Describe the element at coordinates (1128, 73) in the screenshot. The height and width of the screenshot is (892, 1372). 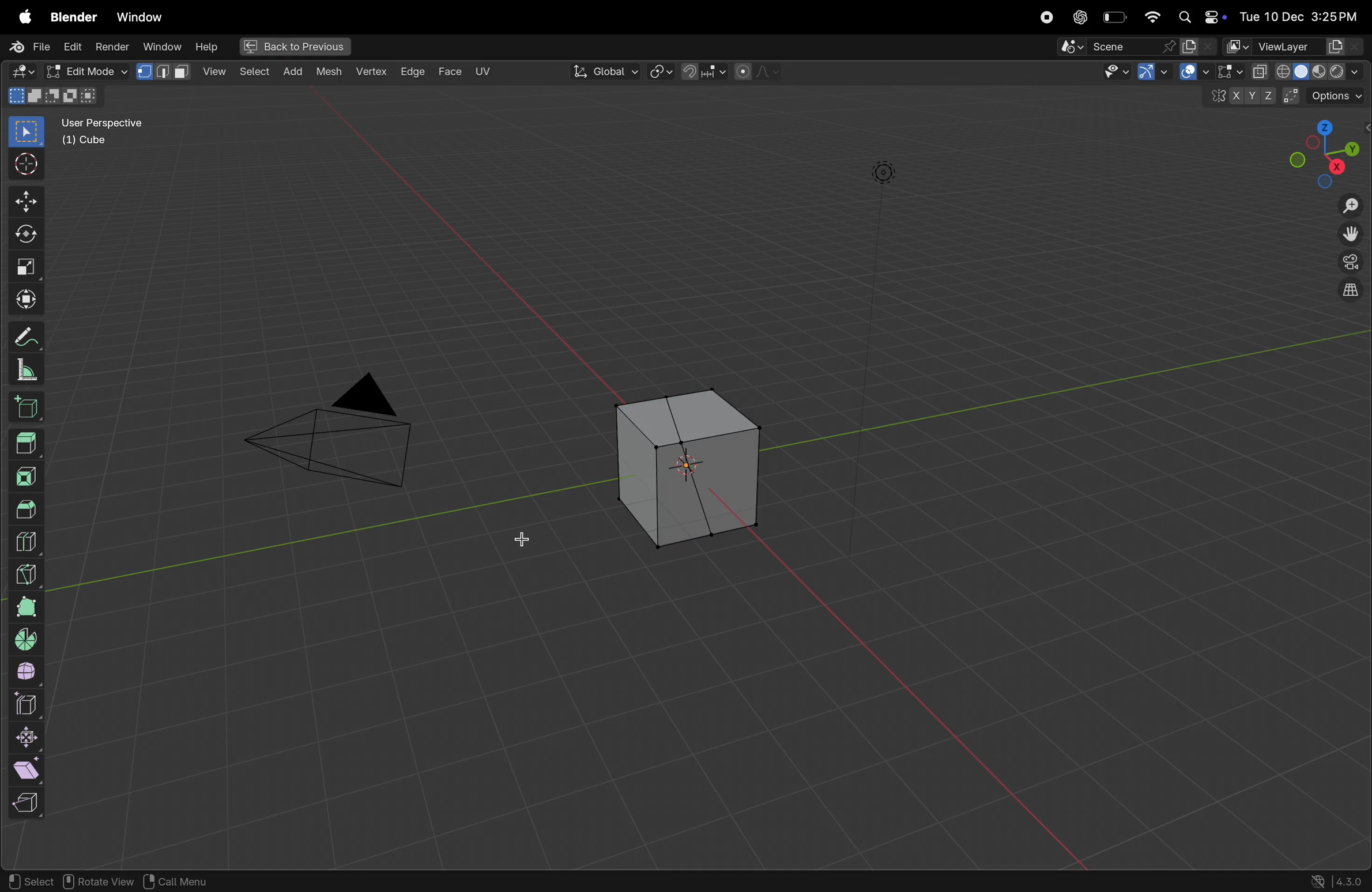
I see `Visibility` at that location.